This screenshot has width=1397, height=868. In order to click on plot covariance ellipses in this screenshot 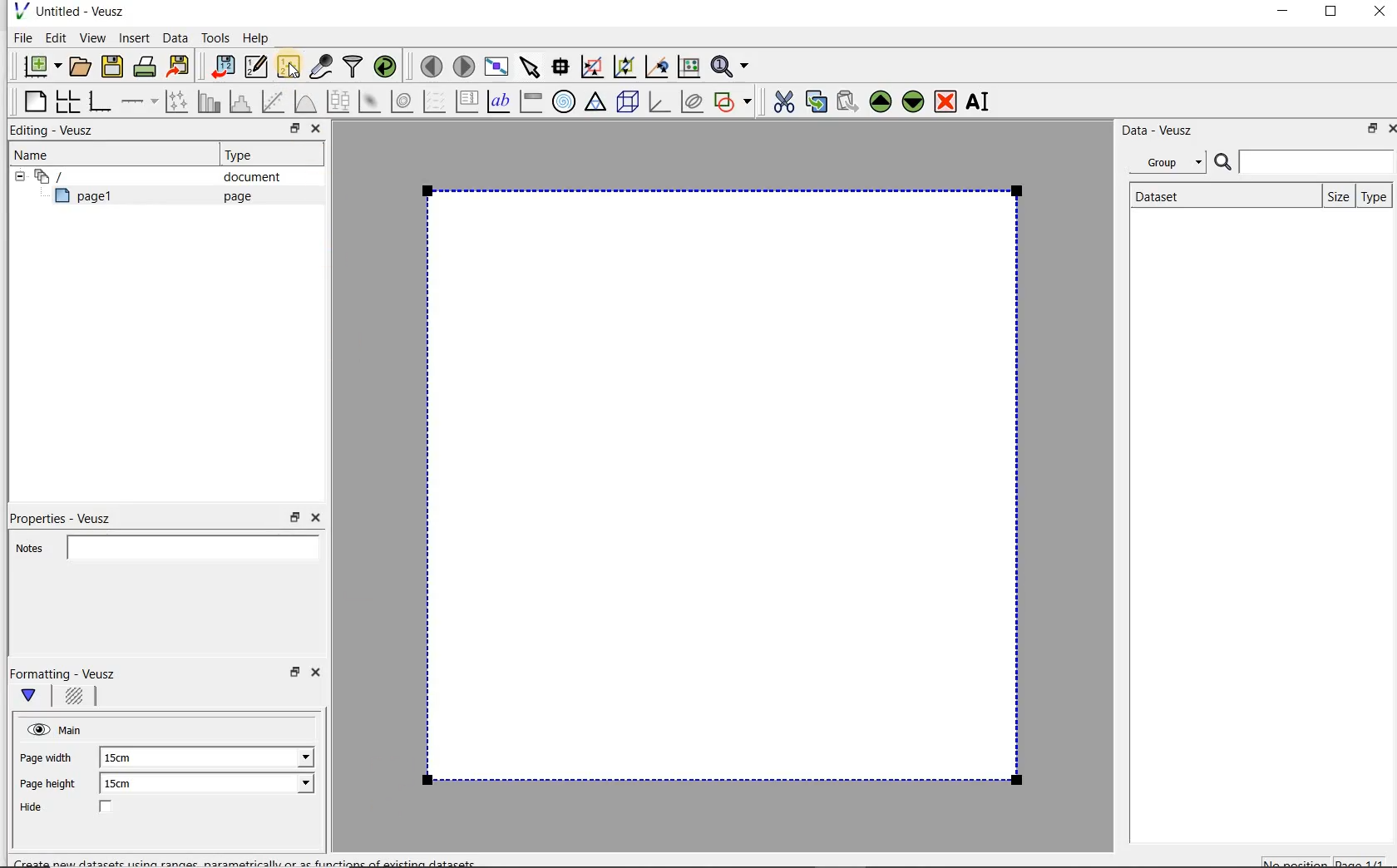, I will do `click(693, 101)`.